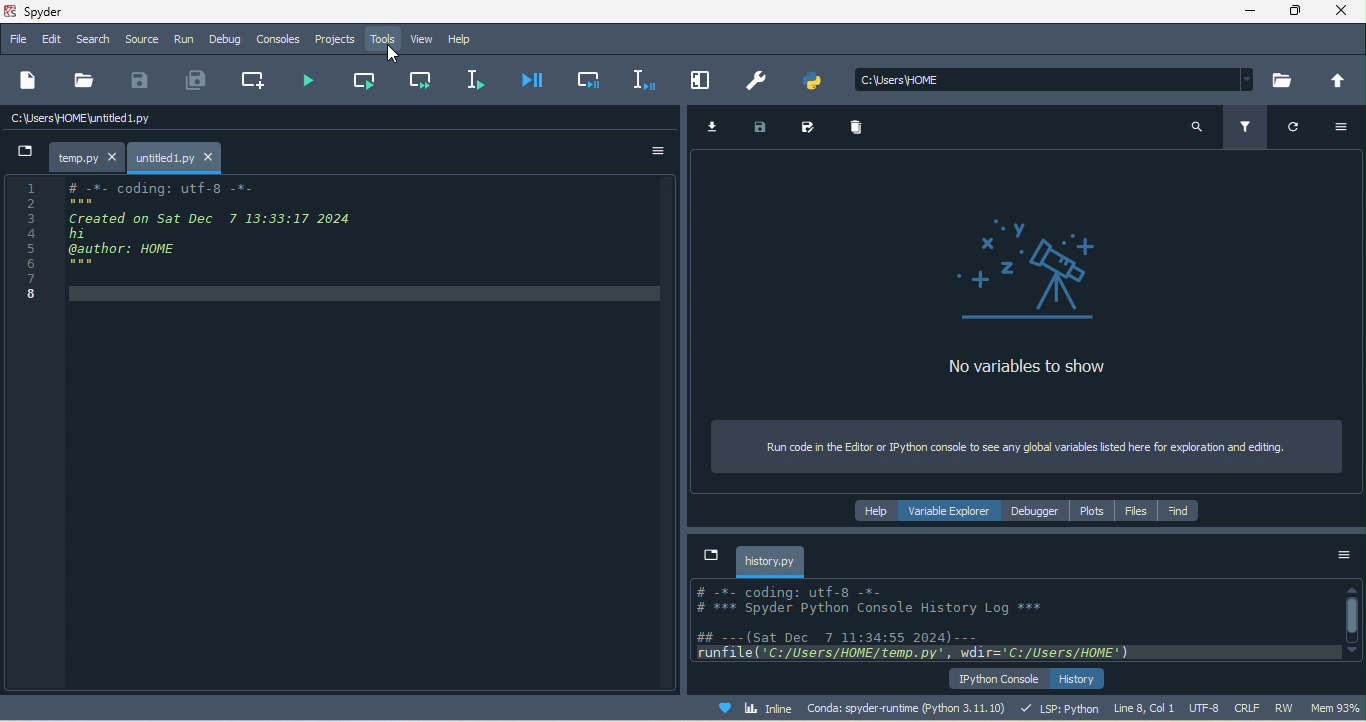 This screenshot has height=722, width=1366. What do you see at coordinates (86, 79) in the screenshot?
I see `file` at bounding box center [86, 79].